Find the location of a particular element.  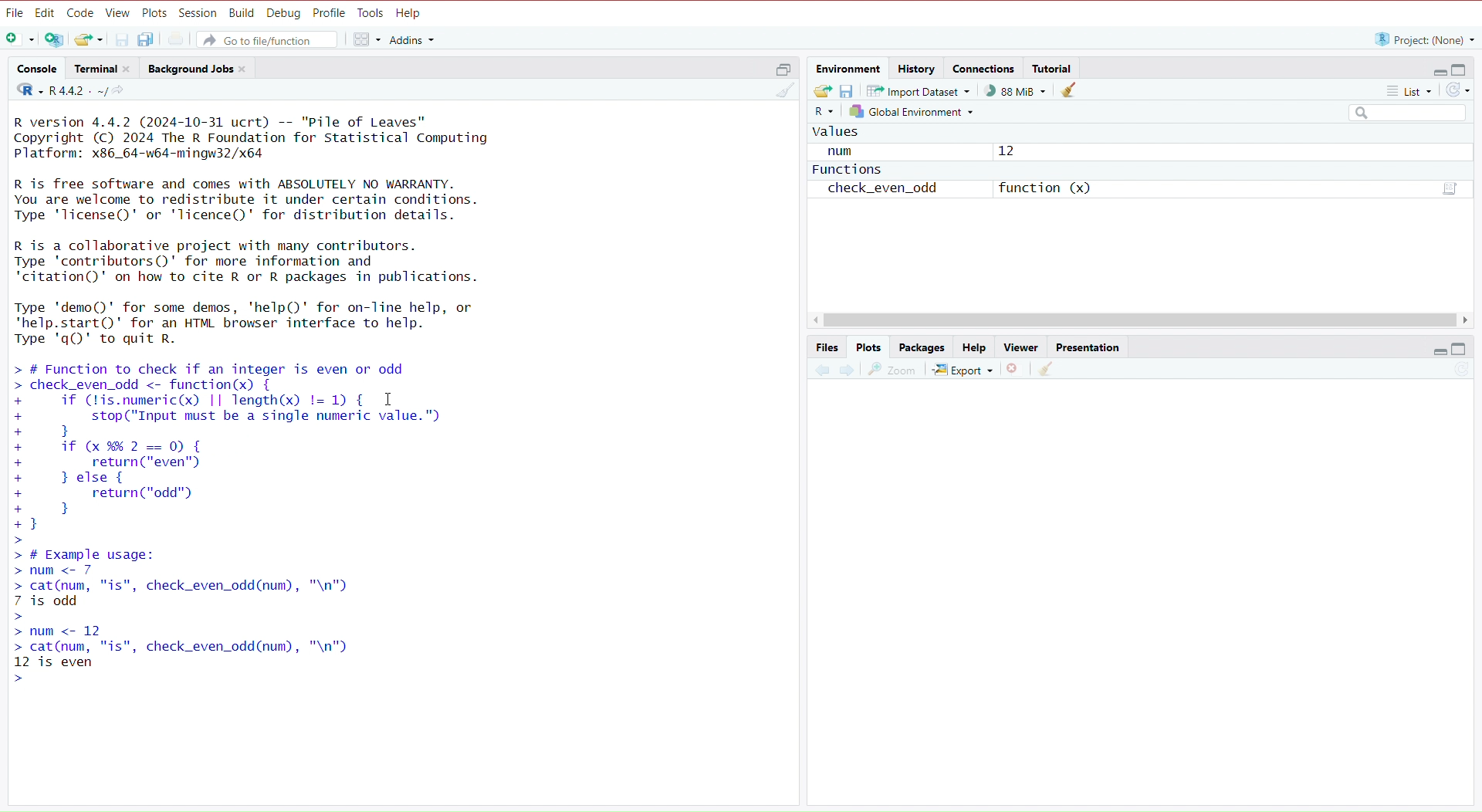

save all open document is located at coordinates (147, 39).